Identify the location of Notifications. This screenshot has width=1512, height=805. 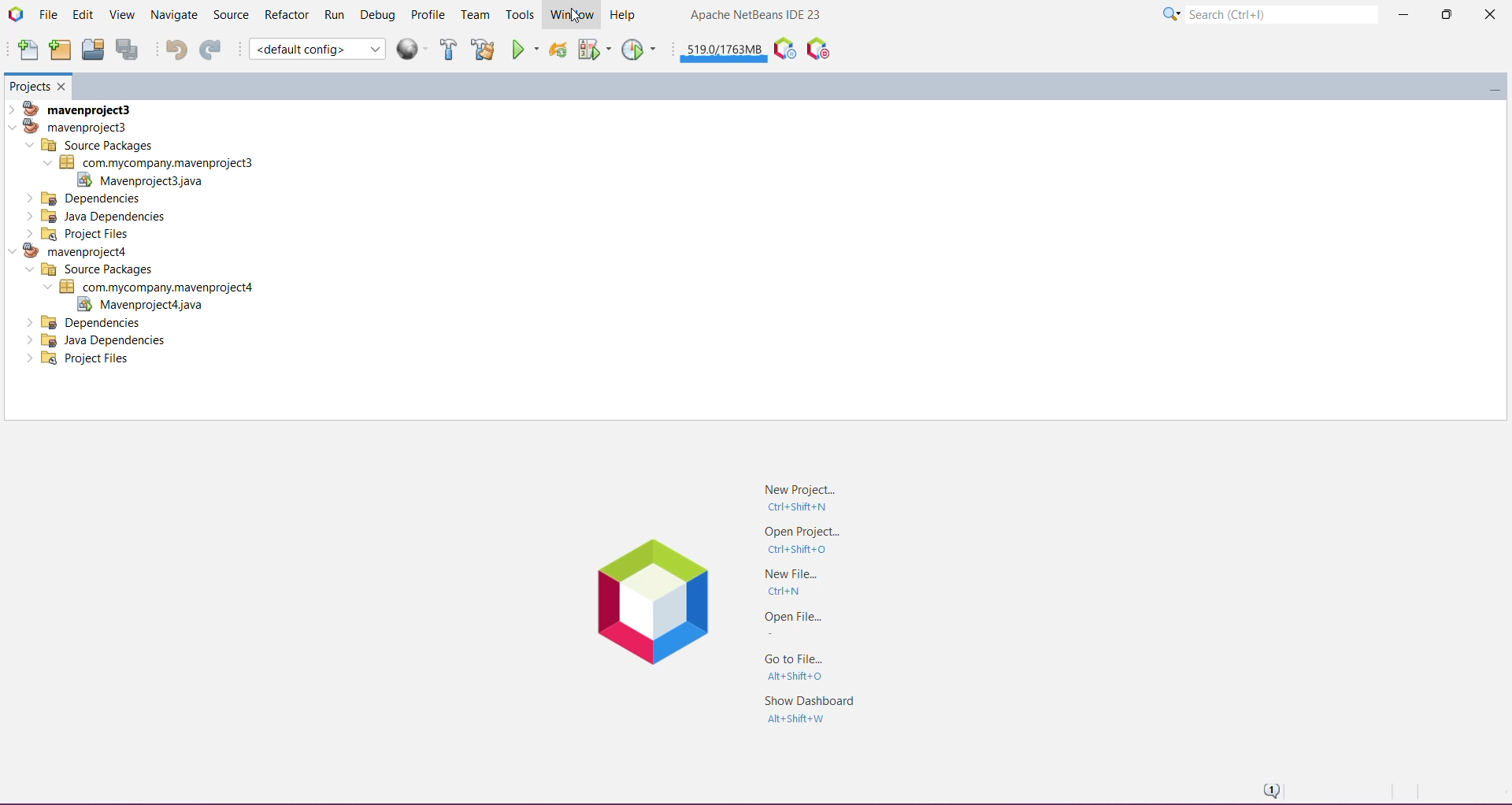
(1269, 789).